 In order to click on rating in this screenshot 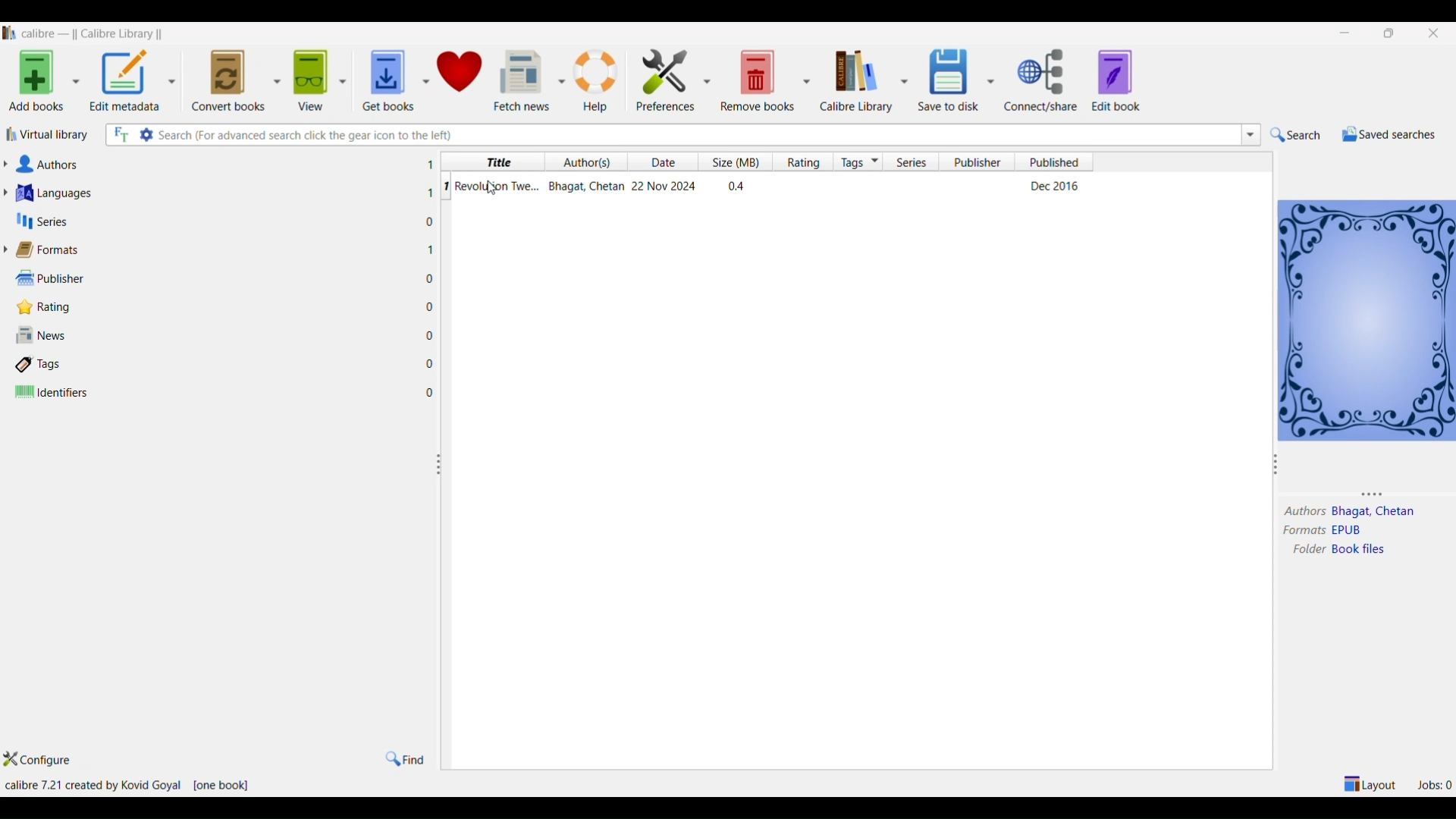, I will do `click(799, 162)`.